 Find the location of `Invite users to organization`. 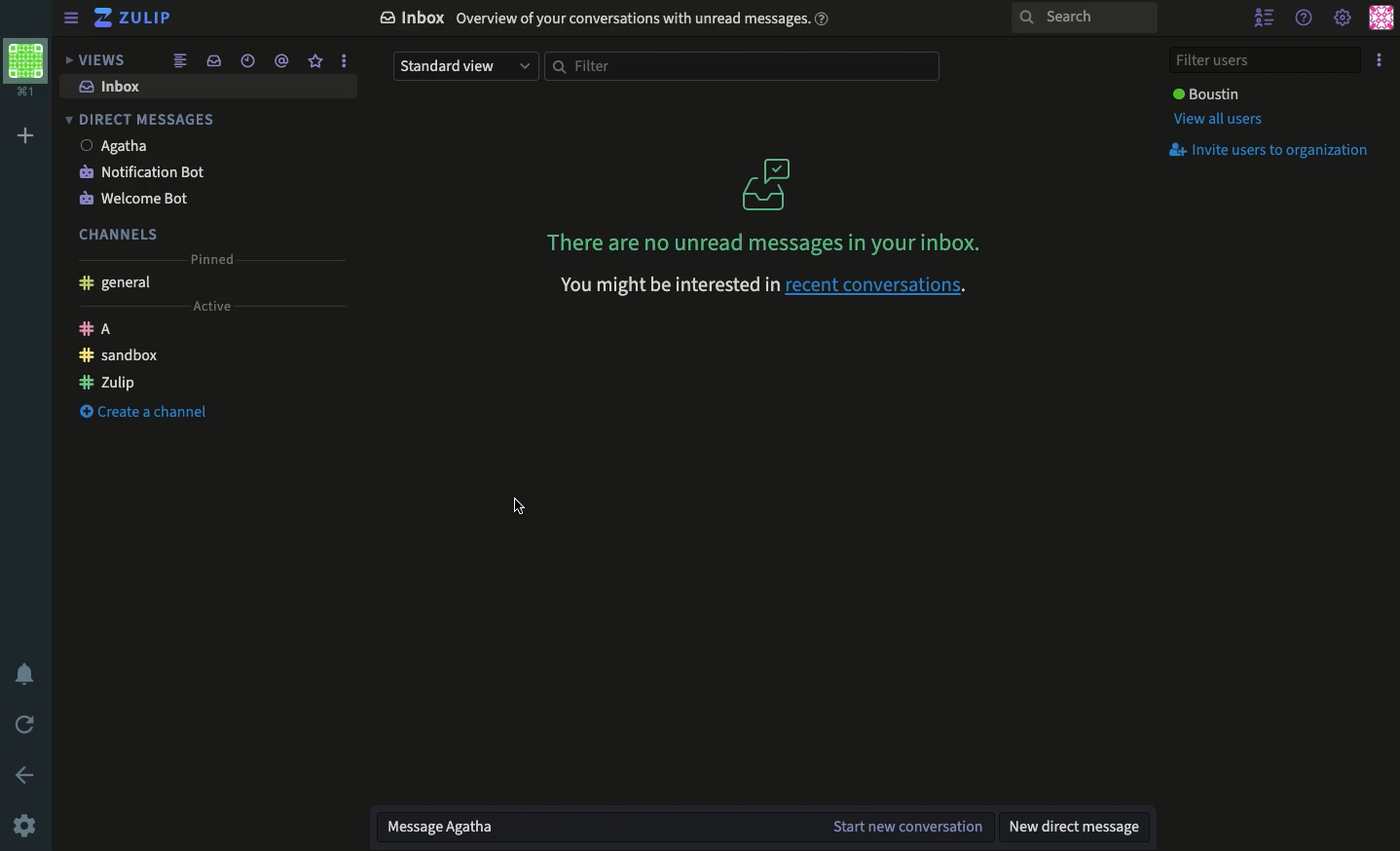

Invite users to organization is located at coordinates (1274, 152).